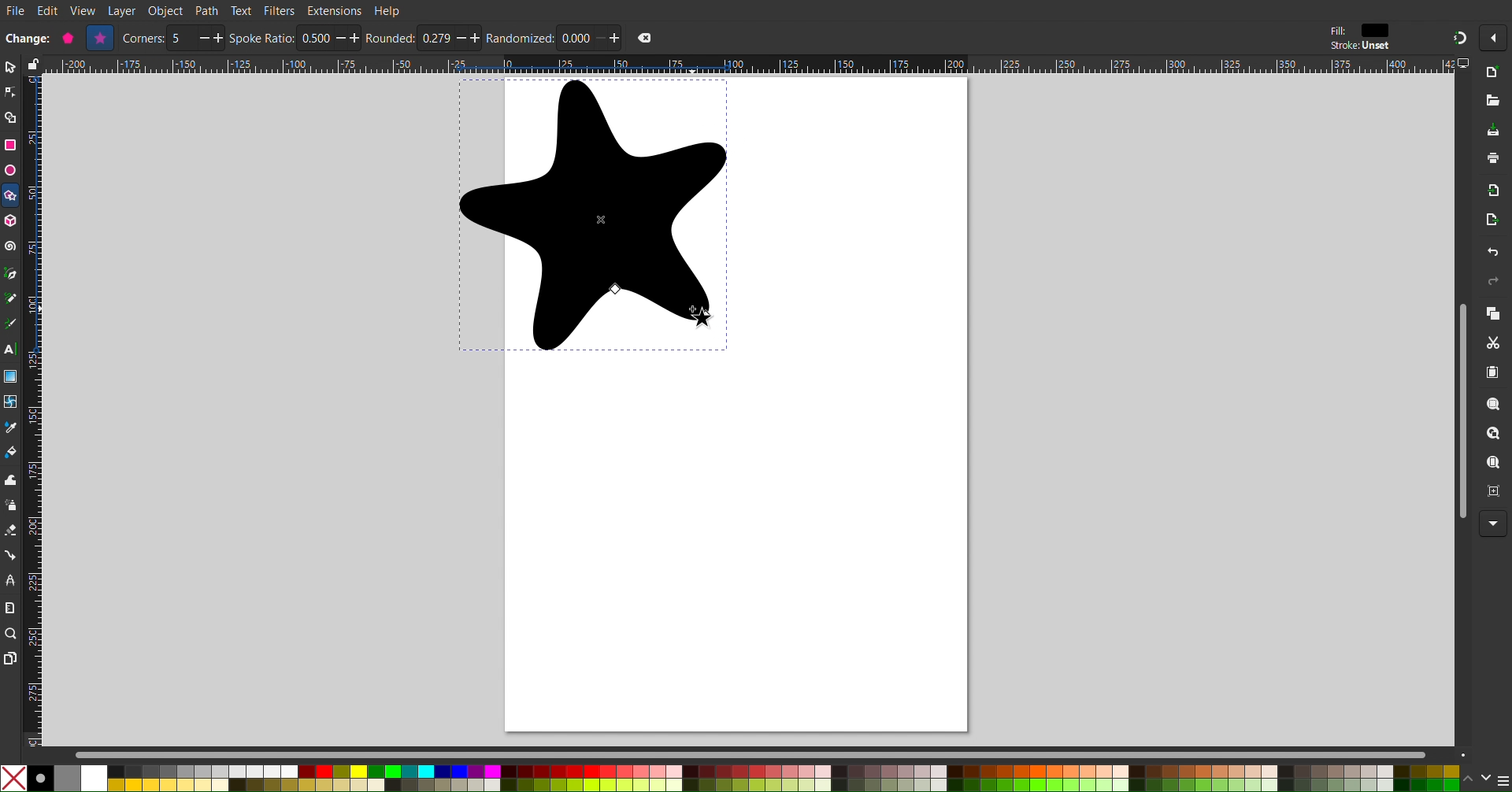 This screenshot has width=1512, height=792. I want to click on Cursor, so click(717, 320).